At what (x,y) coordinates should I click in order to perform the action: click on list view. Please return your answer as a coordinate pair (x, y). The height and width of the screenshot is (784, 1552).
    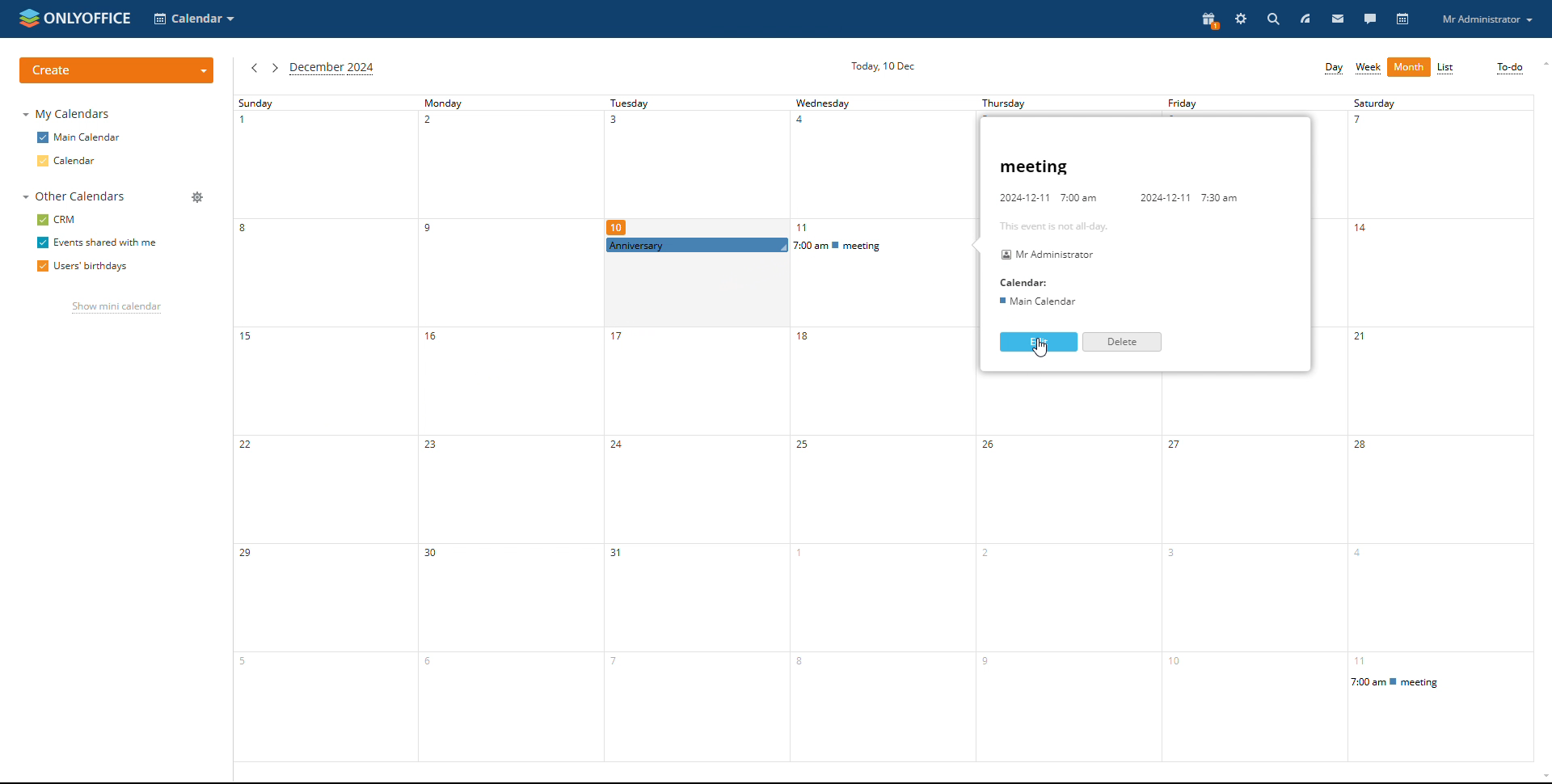
    Looking at the image, I should click on (1445, 68).